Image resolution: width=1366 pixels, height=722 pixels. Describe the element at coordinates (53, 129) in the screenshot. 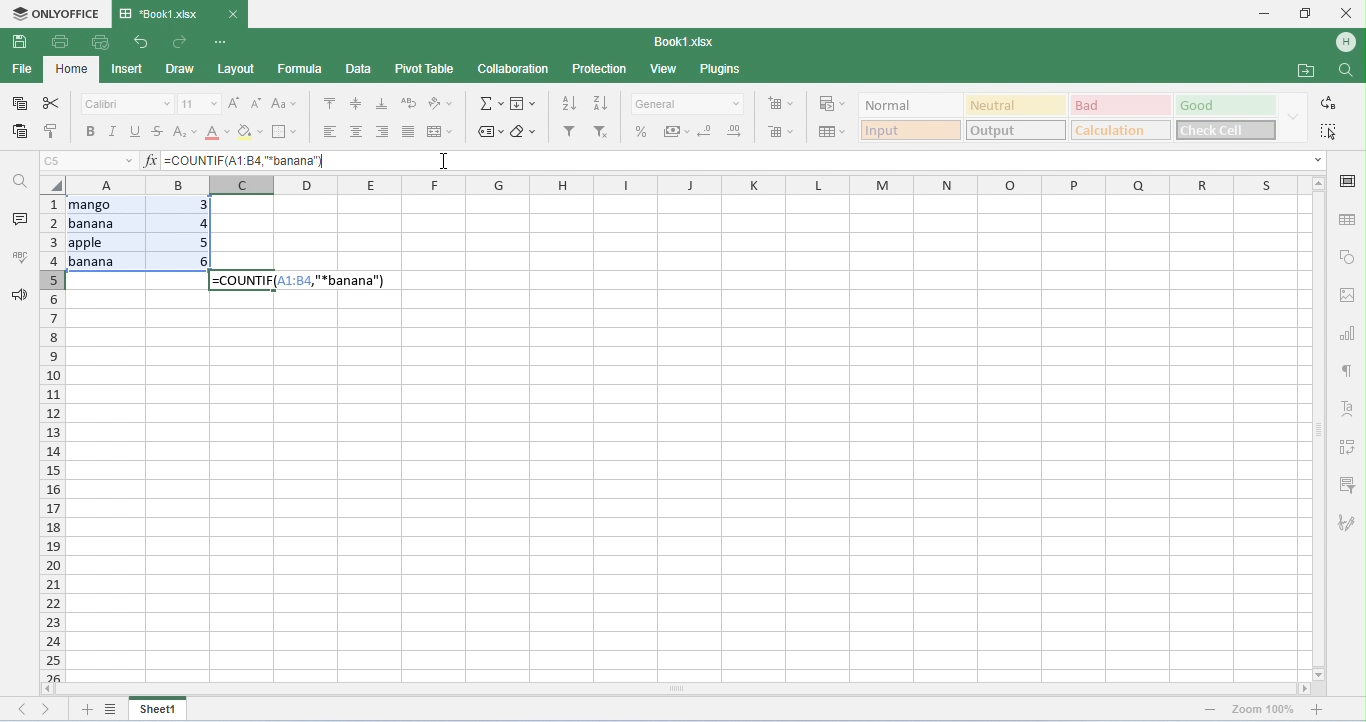

I see `copy style` at that location.